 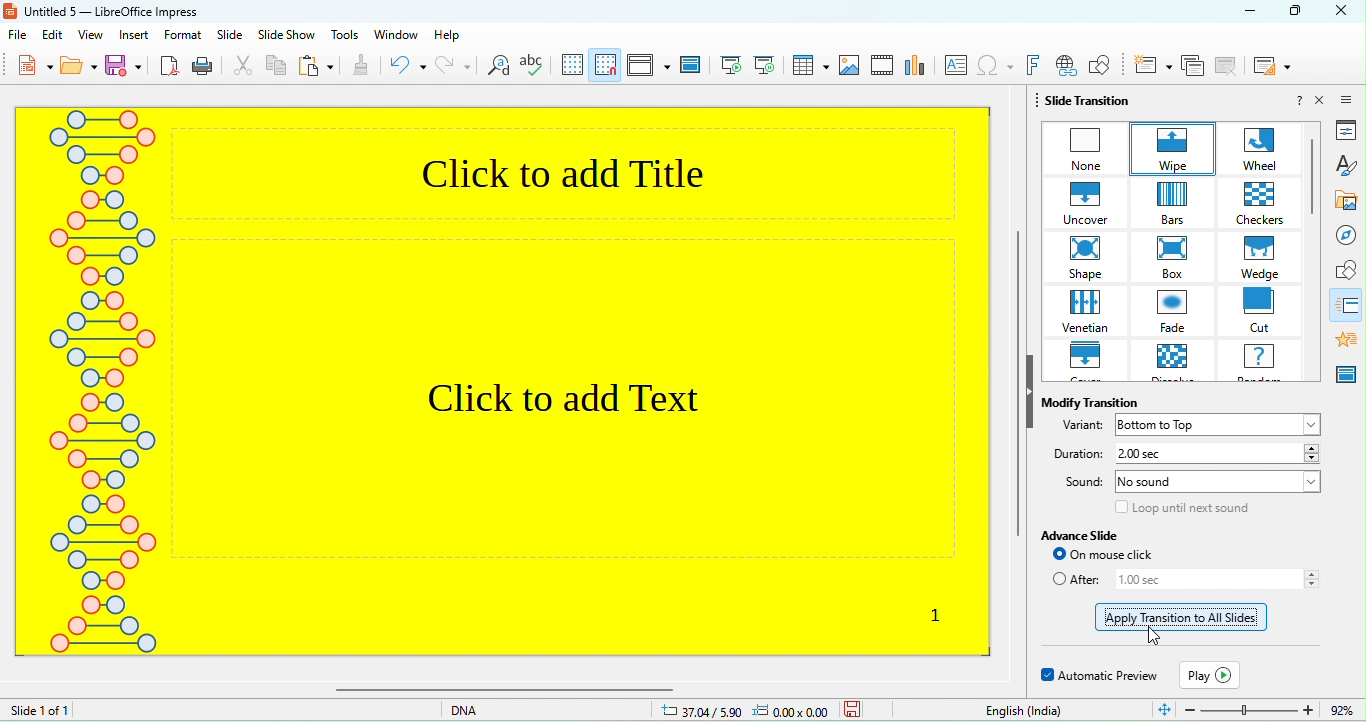 What do you see at coordinates (1081, 260) in the screenshot?
I see `shape` at bounding box center [1081, 260].